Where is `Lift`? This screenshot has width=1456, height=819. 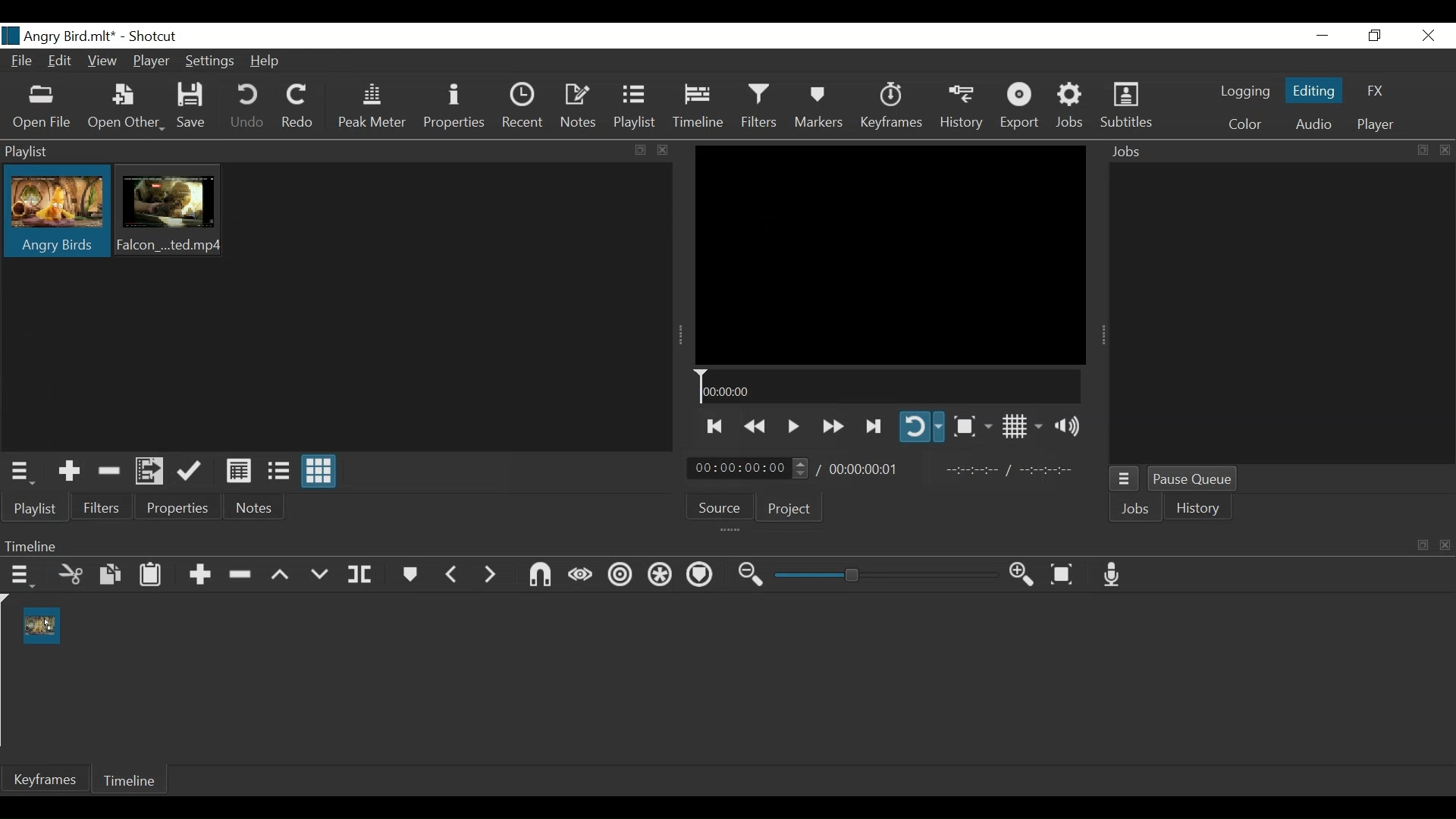
Lift is located at coordinates (281, 574).